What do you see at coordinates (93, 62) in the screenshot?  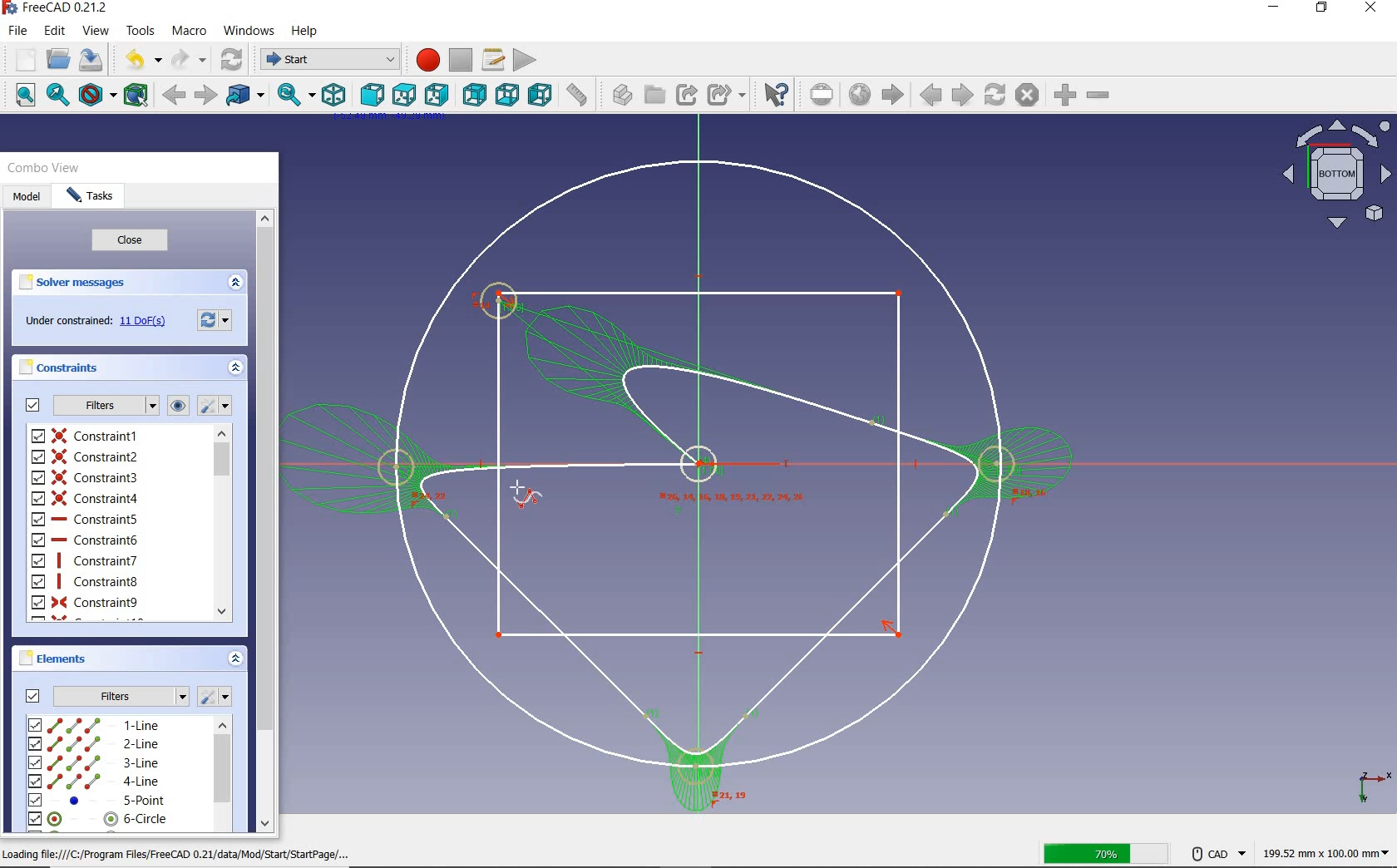 I see `save` at bounding box center [93, 62].